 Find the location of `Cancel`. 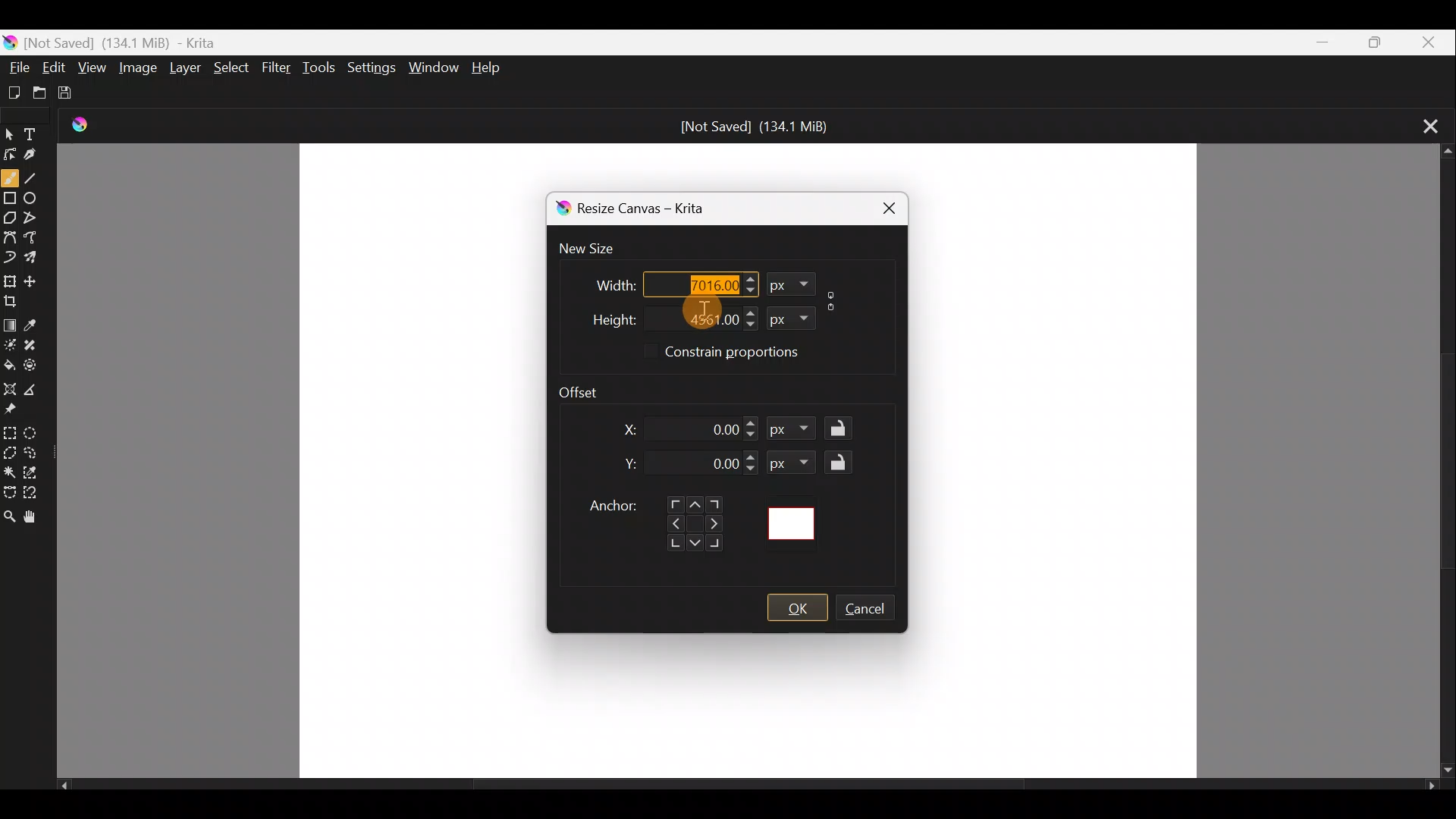

Cancel is located at coordinates (873, 610).